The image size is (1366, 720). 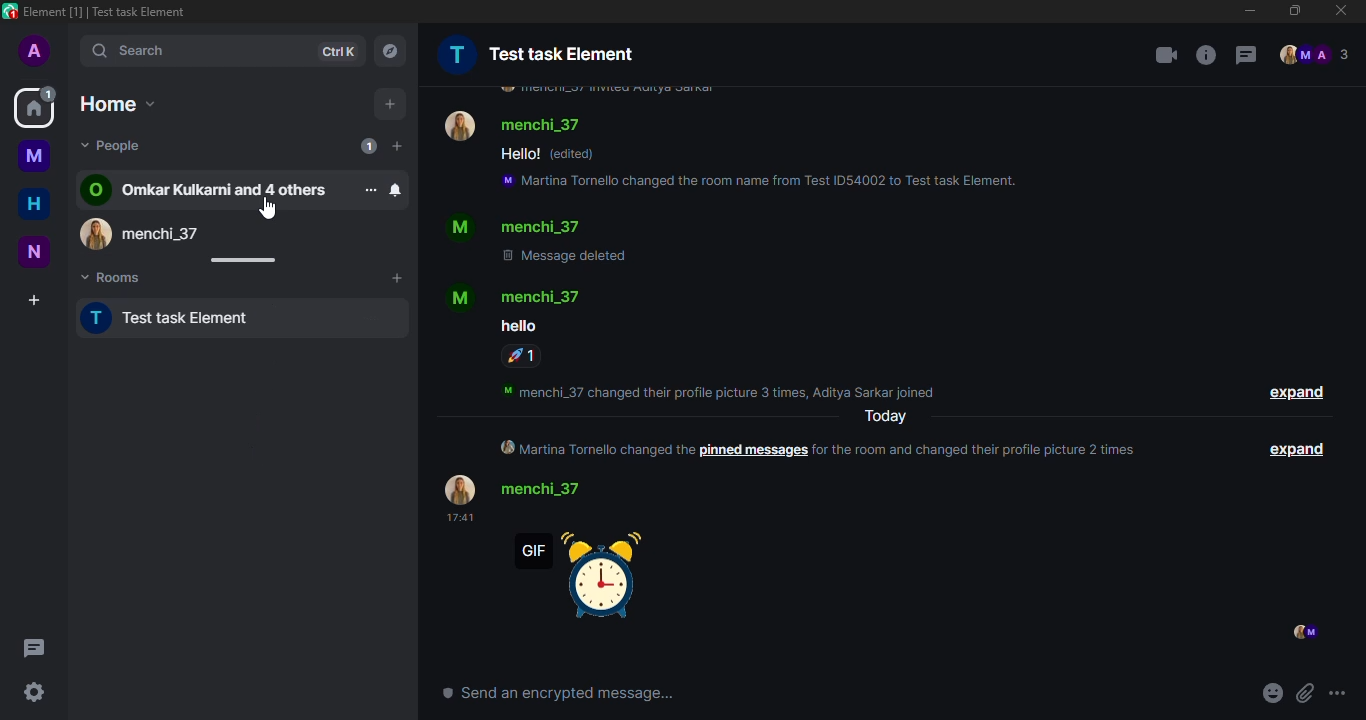 What do you see at coordinates (558, 692) in the screenshot?
I see `send an encrypted message` at bounding box center [558, 692].